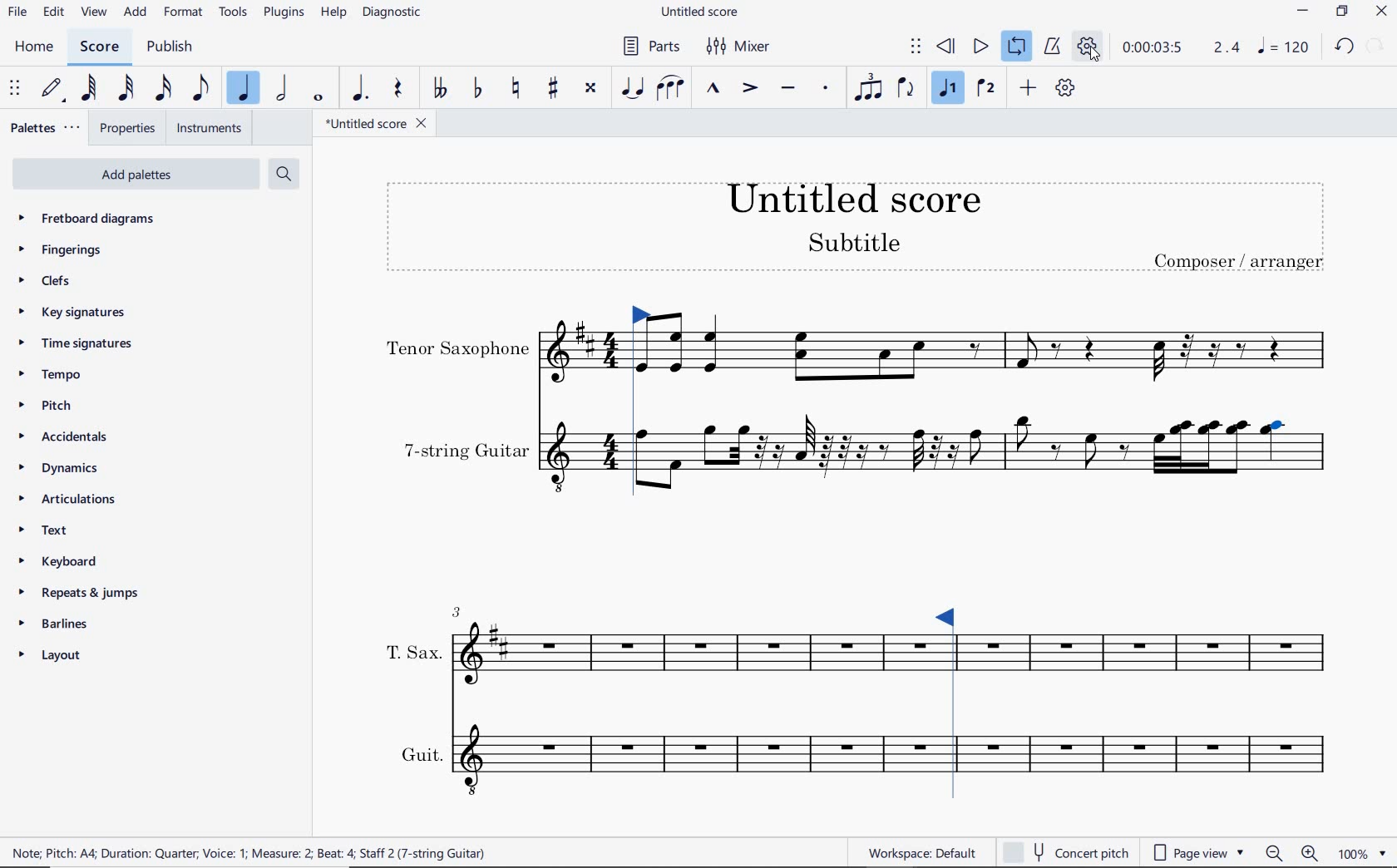  I want to click on TUPLET, so click(866, 88).